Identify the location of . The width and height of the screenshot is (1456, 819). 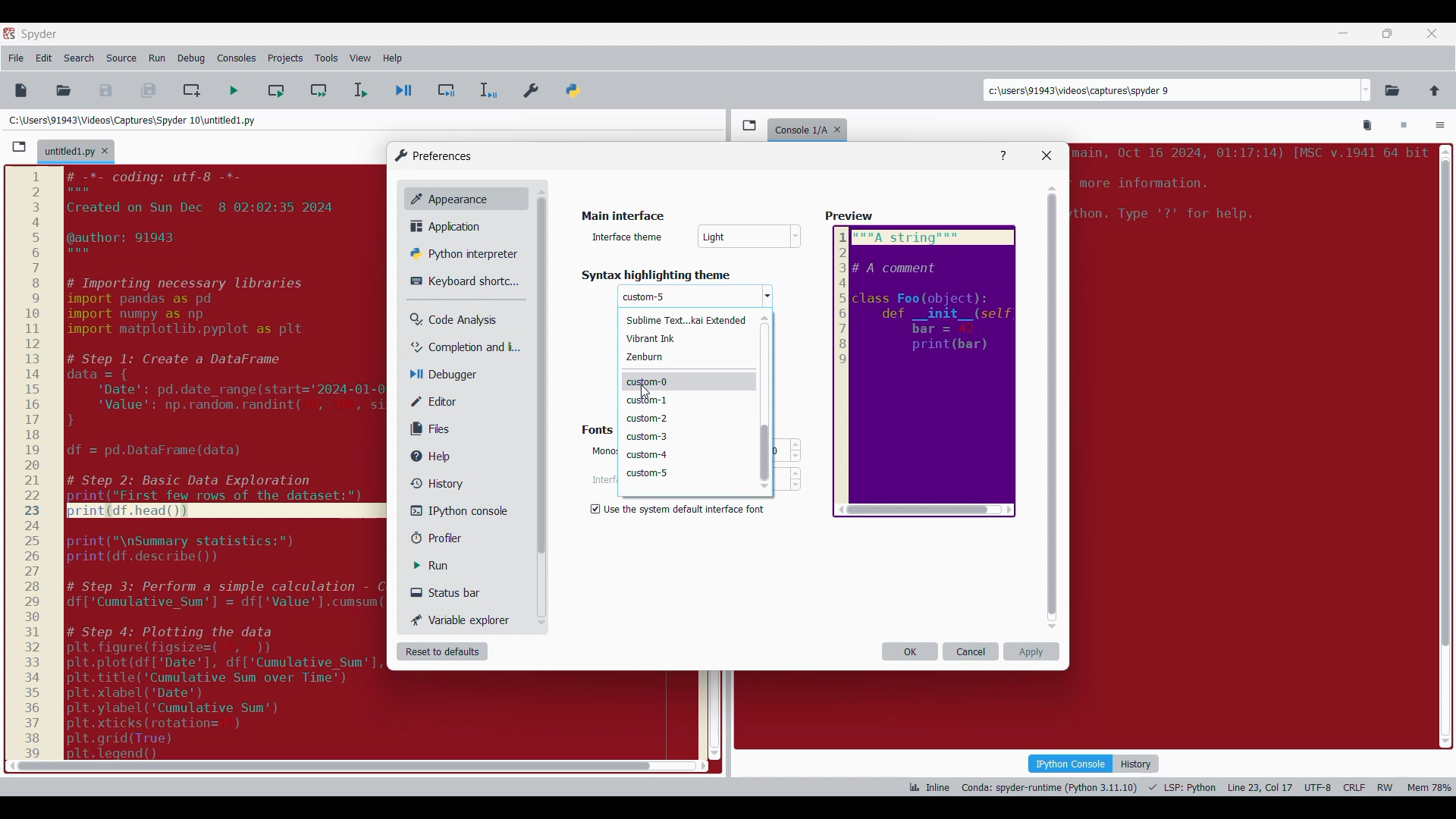
(751, 238).